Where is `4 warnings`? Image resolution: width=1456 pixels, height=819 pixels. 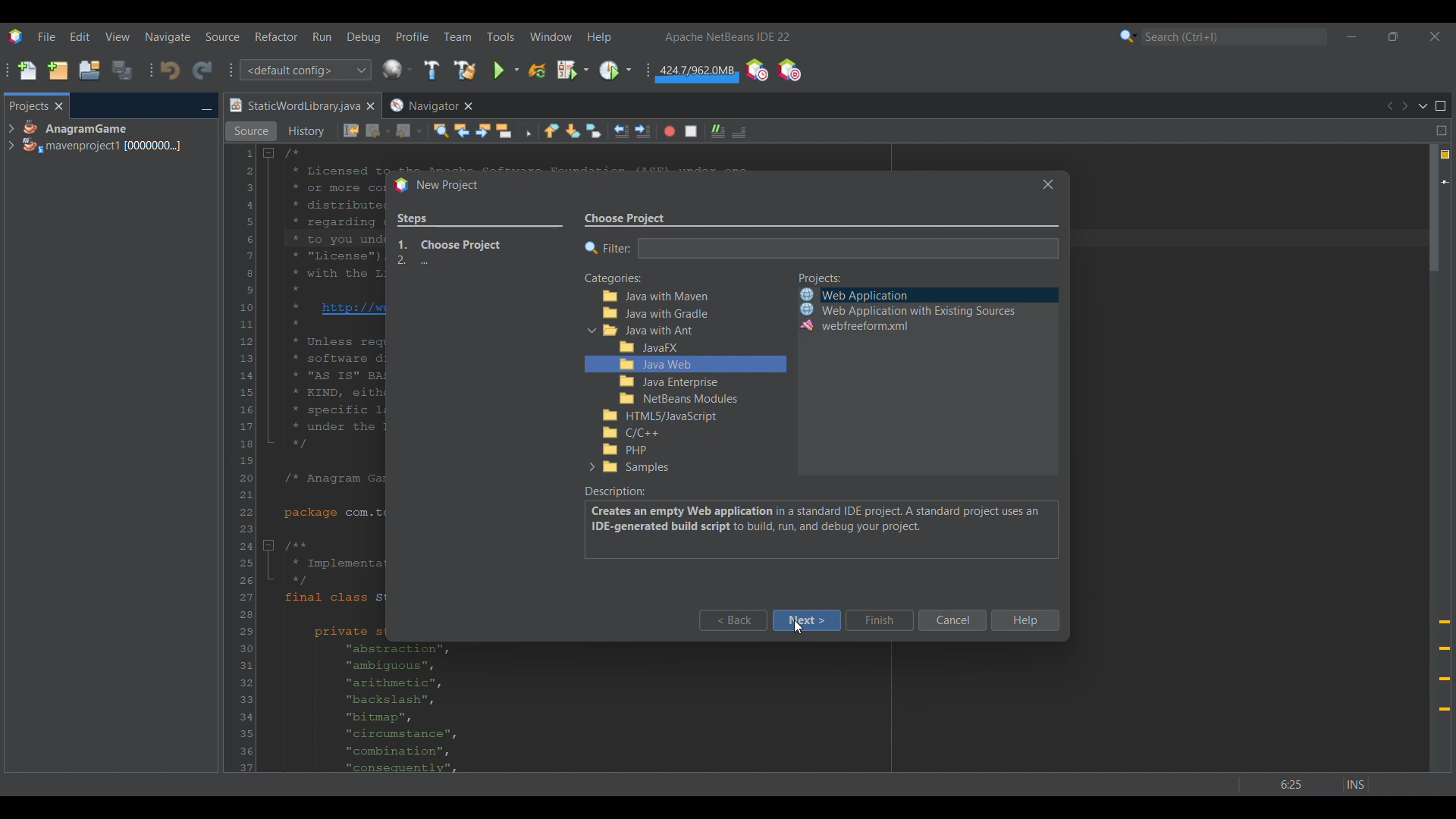
4 warnings is located at coordinates (1445, 155).